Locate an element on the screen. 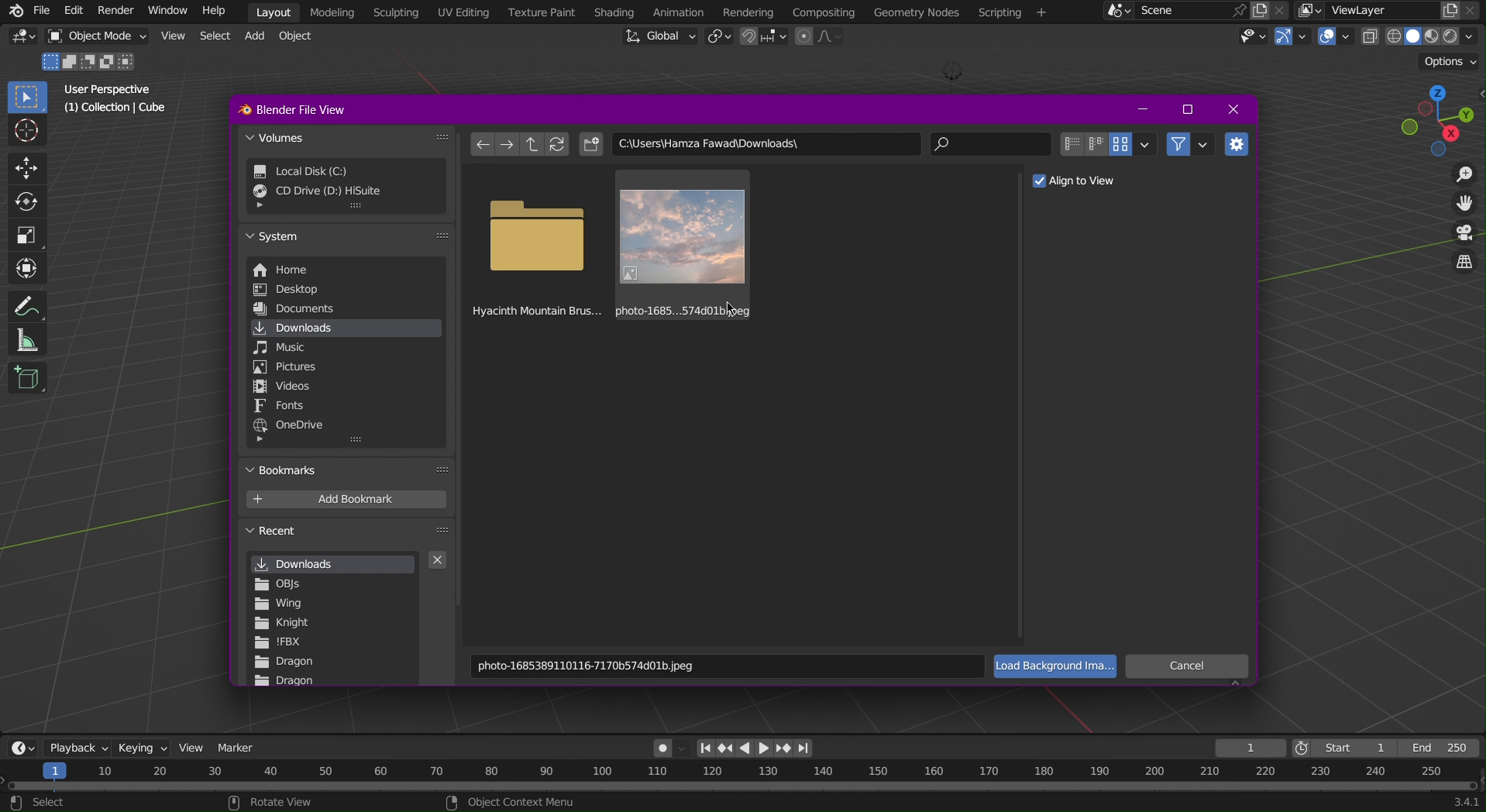 This screenshot has width=1486, height=812. Scripting is located at coordinates (399, 12).